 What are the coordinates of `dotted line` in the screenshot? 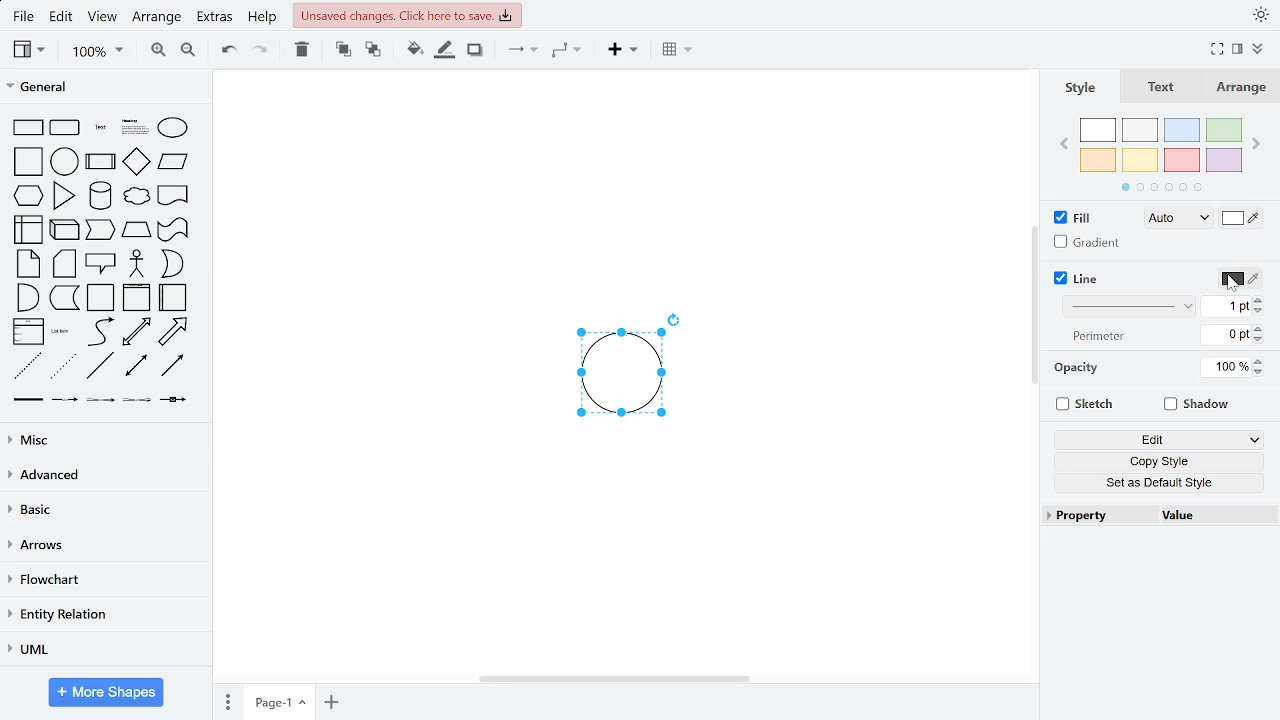 It's located at (63, 365).